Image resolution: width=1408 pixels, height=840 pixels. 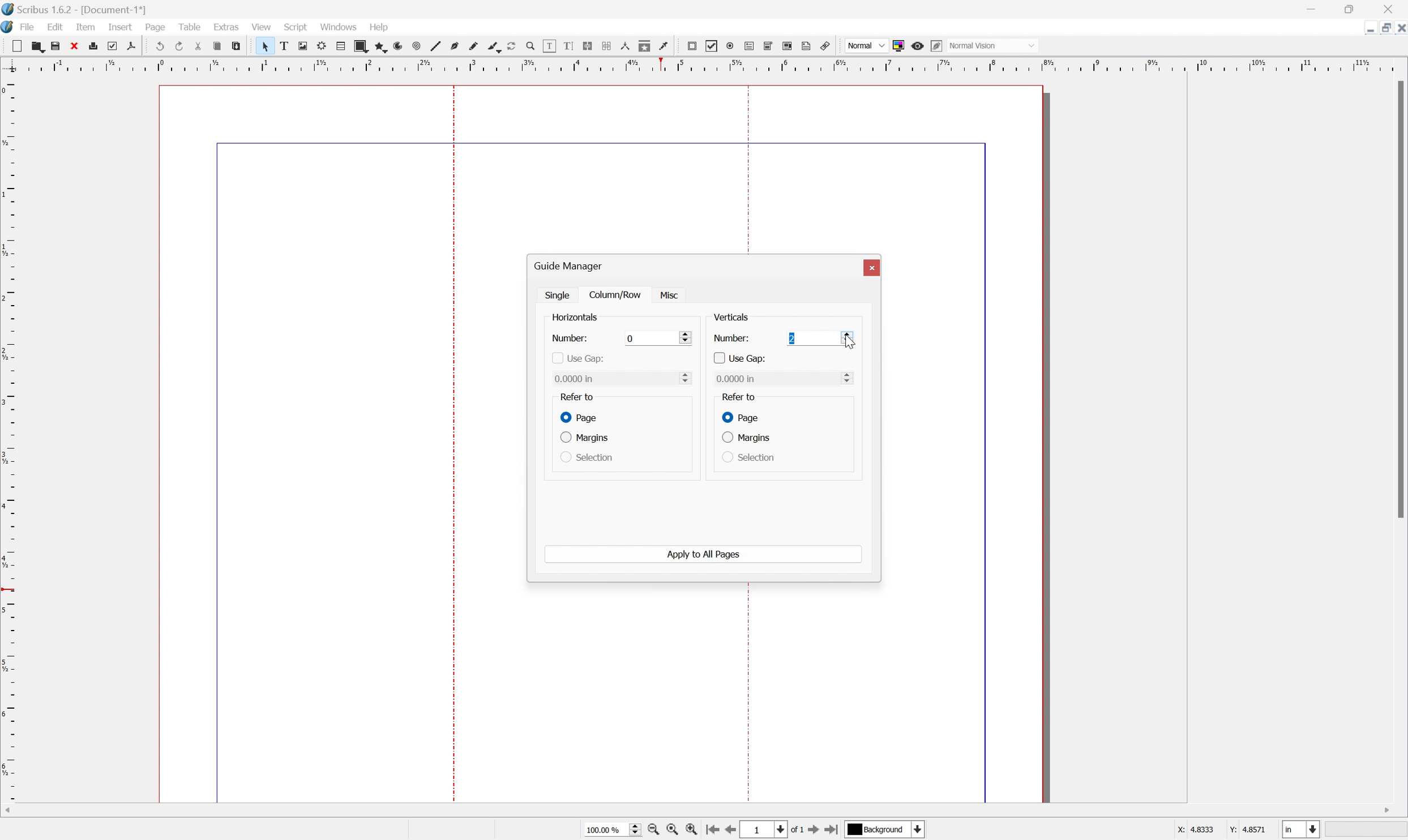 I want to click on select current page, so click(x=771, y=830).